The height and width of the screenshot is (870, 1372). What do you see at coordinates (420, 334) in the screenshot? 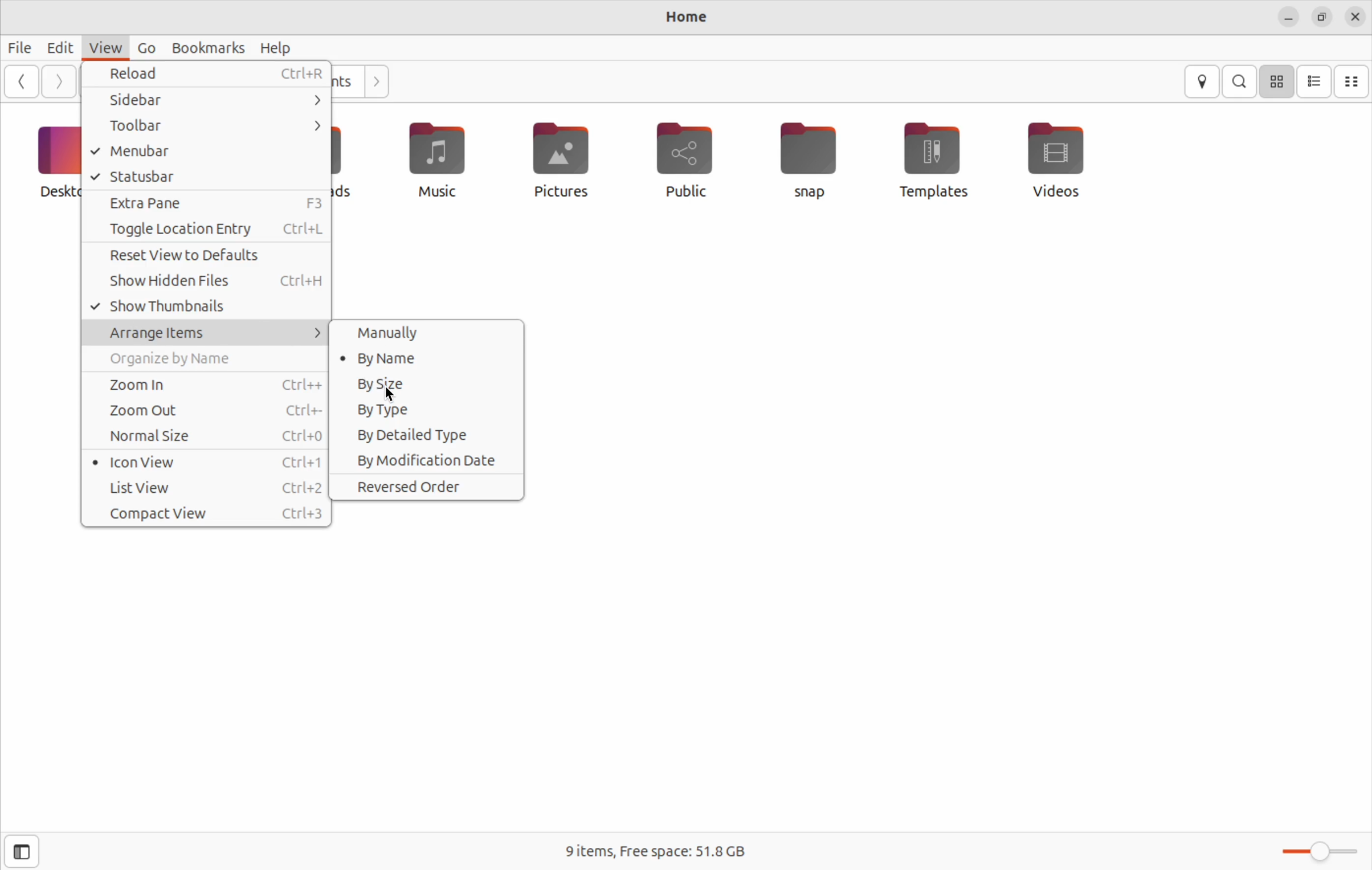
I see `manually` at bounding box center [420, 334].